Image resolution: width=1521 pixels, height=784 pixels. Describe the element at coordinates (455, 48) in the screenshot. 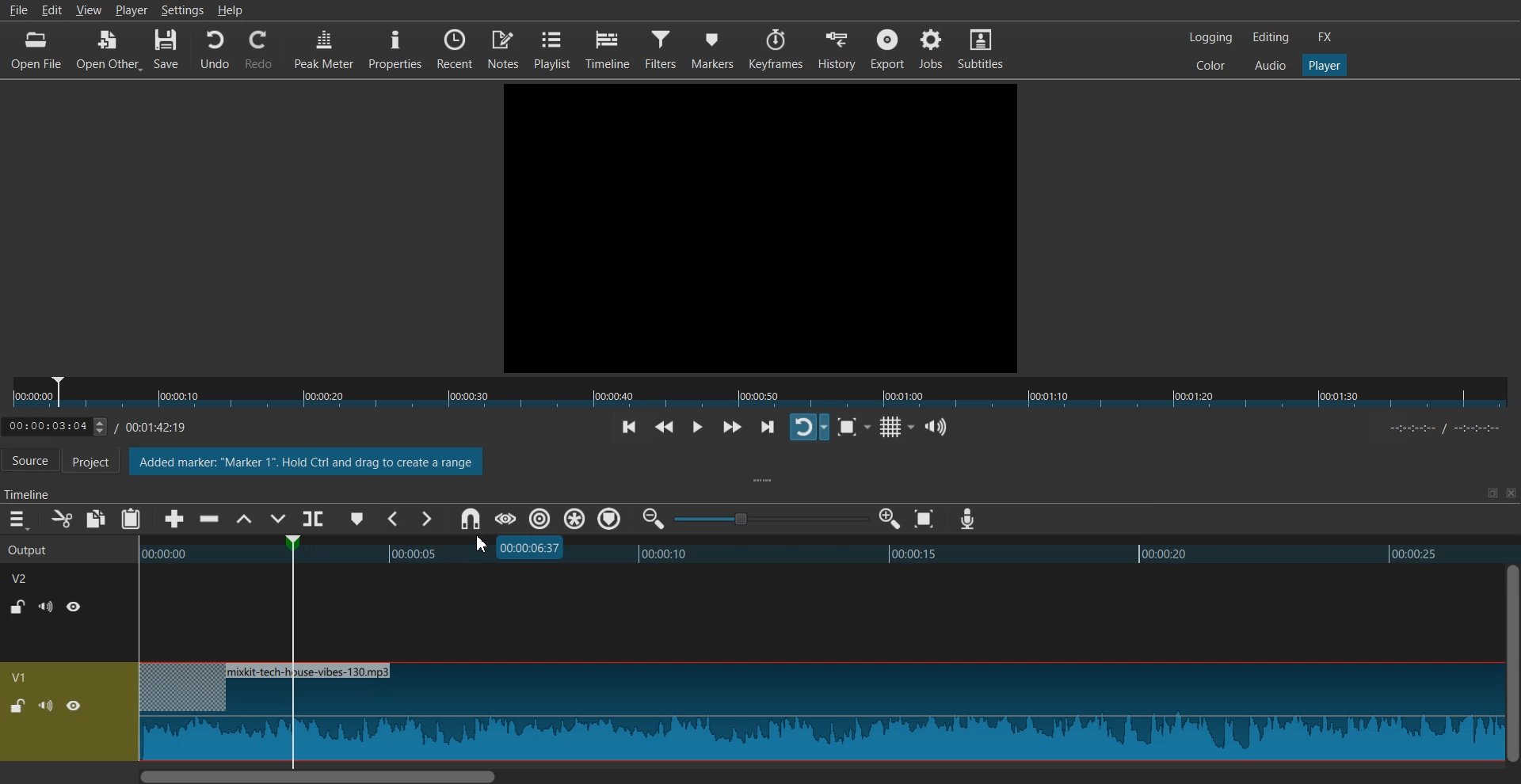

I see `Recent` at that location.